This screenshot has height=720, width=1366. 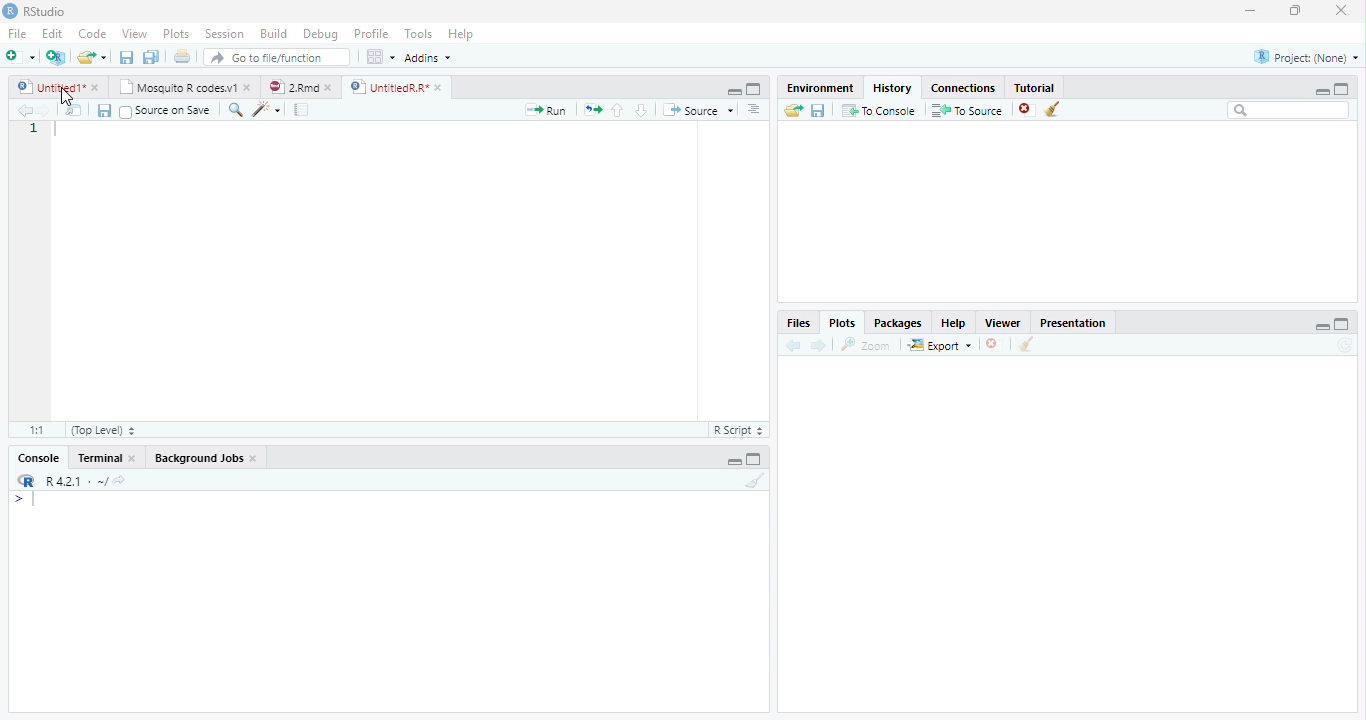 What do you see at coordinates (1322, 328) in the screenshot?
I see `Minimize` at bounding box center [1322, 328].